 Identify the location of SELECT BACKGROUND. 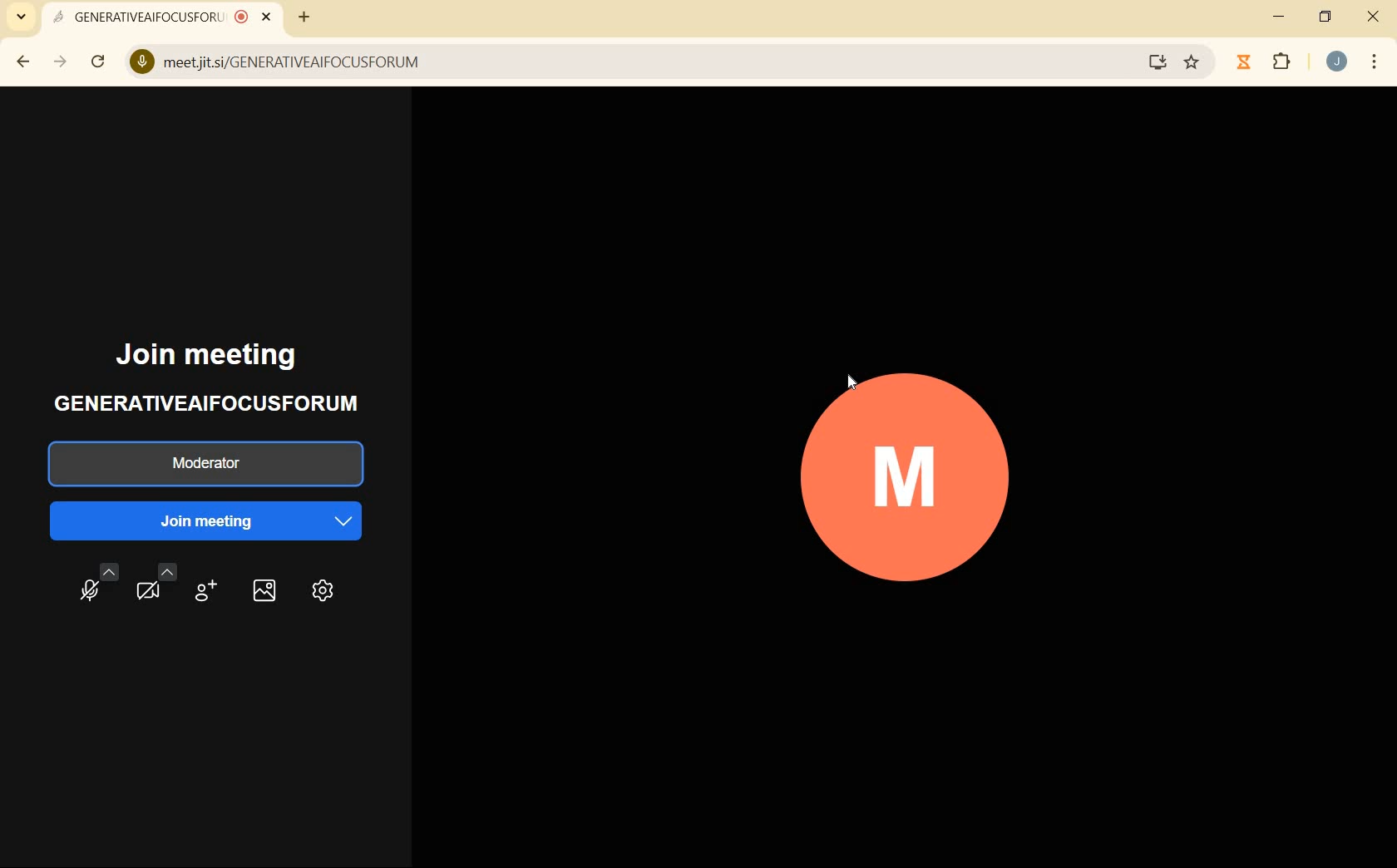
(260, 595).